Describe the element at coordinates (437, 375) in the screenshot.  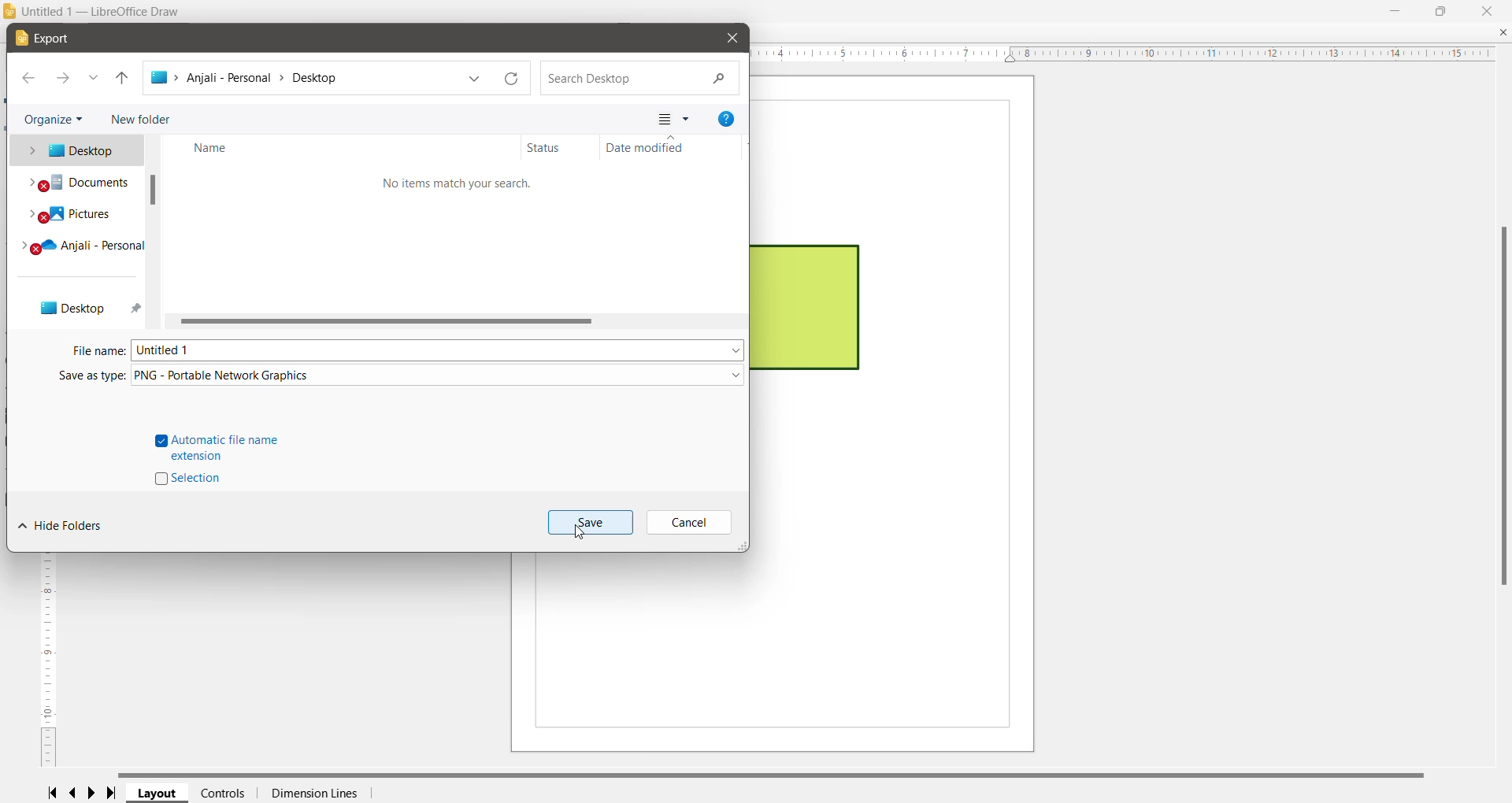
I see `File Type set as PNG` at that location.